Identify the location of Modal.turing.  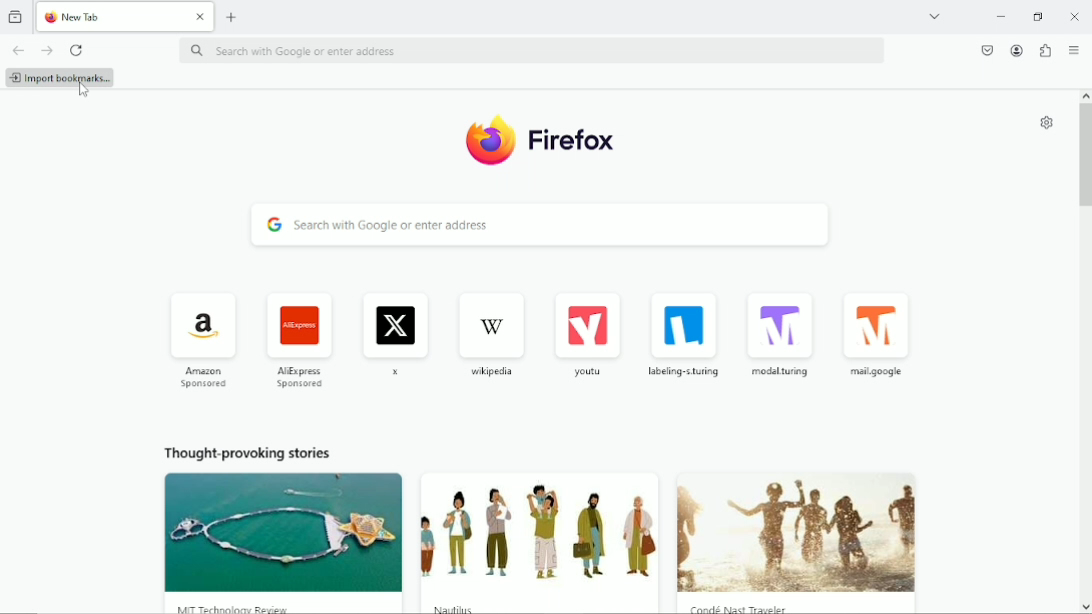
(782, 330).